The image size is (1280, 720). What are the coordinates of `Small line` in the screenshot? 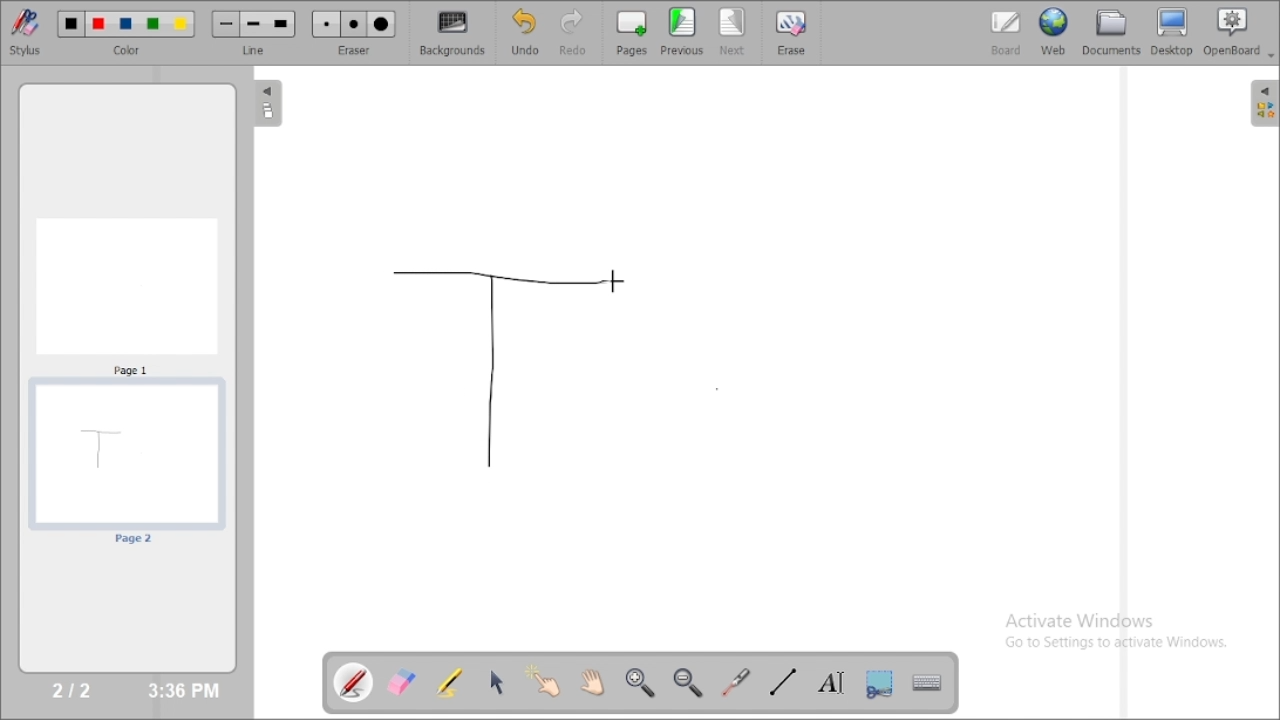 It's located at (226, 24).